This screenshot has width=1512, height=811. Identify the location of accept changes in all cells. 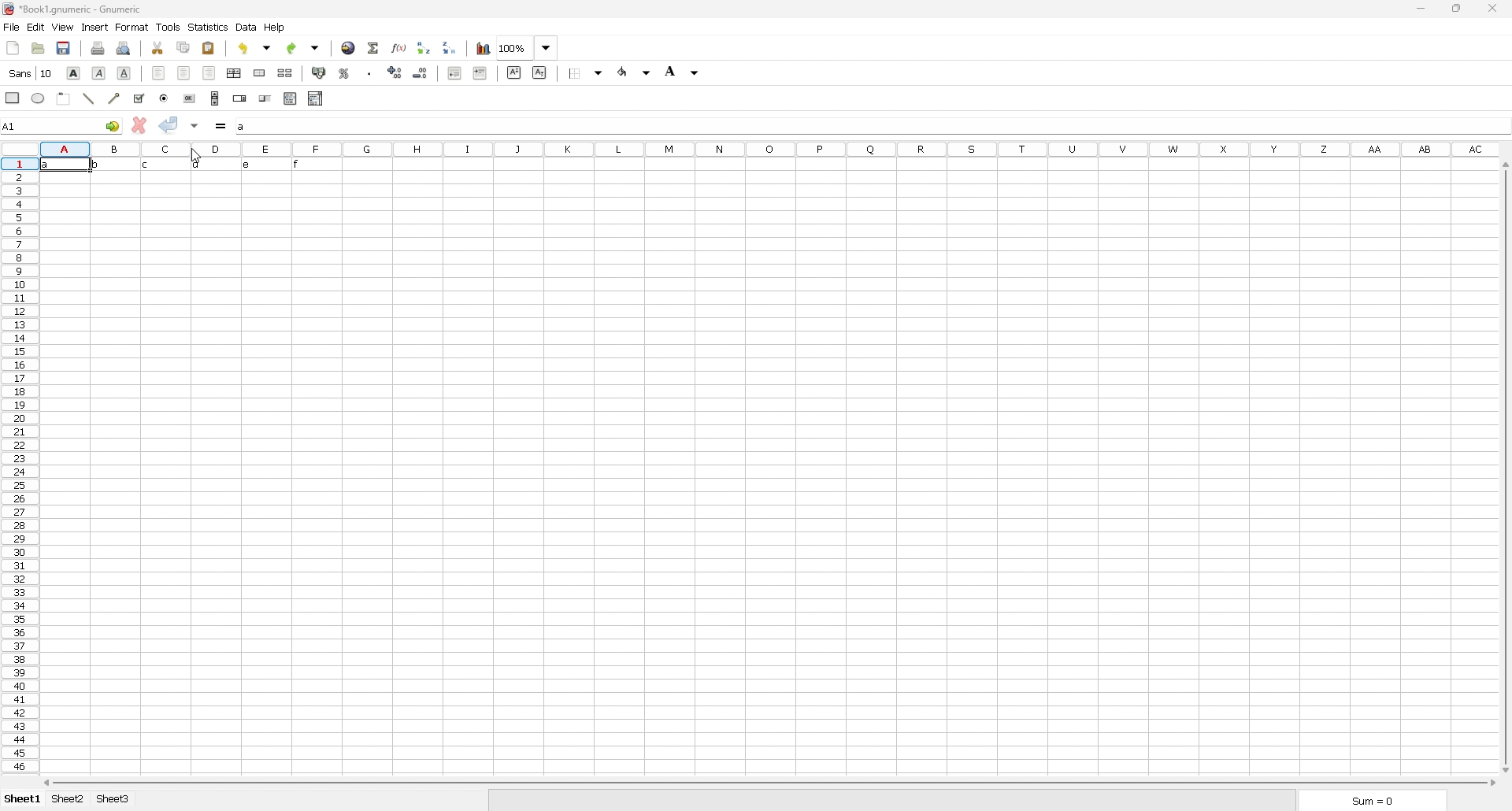
(196, 126).